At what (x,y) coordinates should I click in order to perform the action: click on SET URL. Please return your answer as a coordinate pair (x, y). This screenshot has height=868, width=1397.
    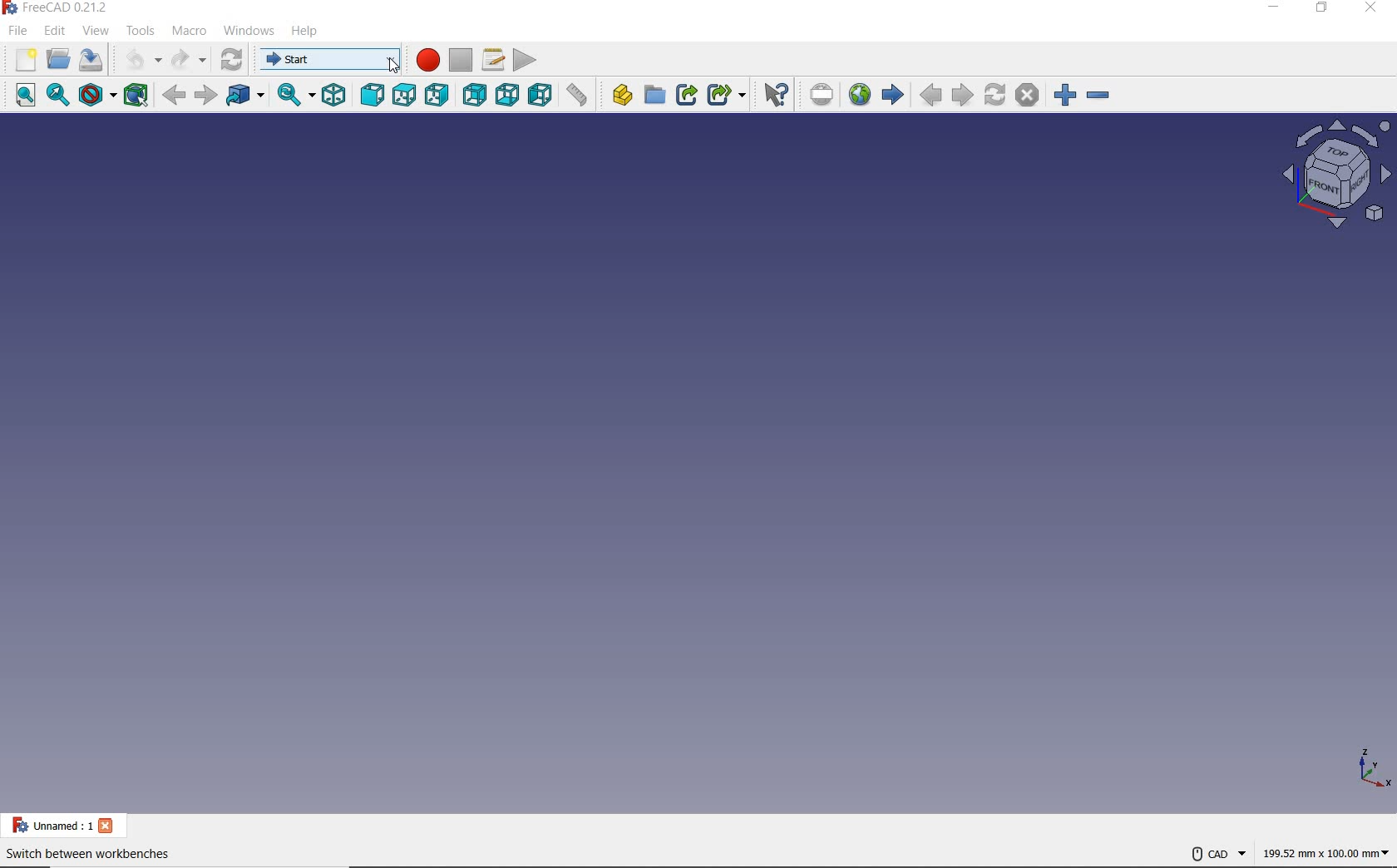
    Looking at the image, I should click on (818, 92).